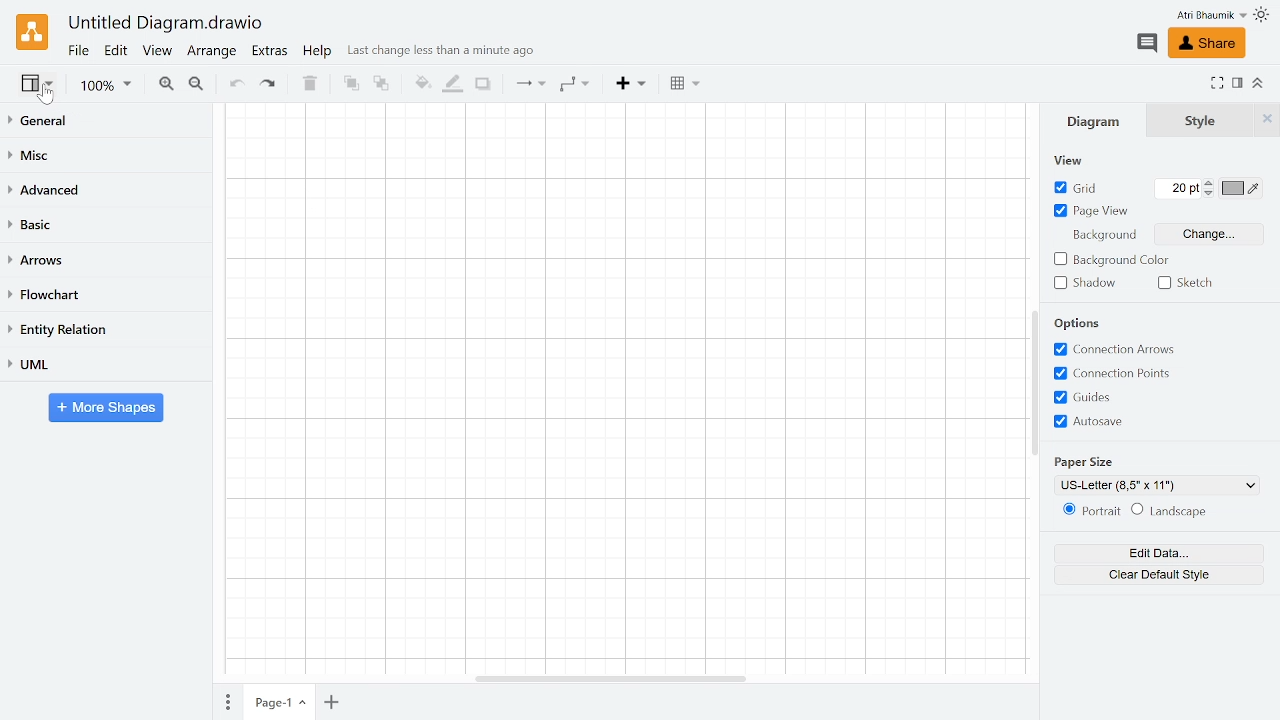 This screenshot has width=1280, height=720. Describe the element at coordinates (574, 85) in the screenshot. I see `Waypoints` at that location.